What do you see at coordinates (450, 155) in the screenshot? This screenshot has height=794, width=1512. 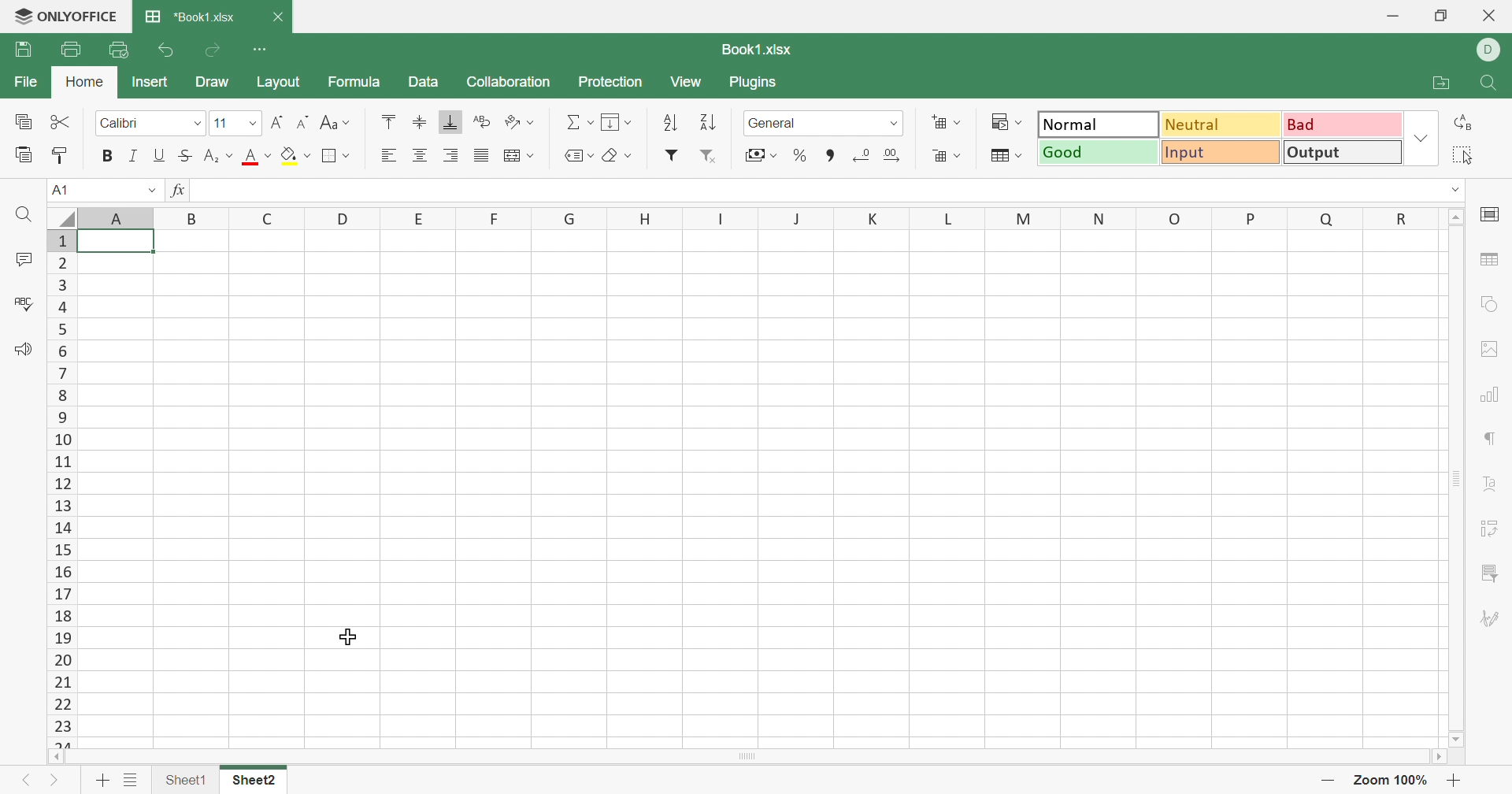 I see `Align Right` at bounding box center [450, 155].